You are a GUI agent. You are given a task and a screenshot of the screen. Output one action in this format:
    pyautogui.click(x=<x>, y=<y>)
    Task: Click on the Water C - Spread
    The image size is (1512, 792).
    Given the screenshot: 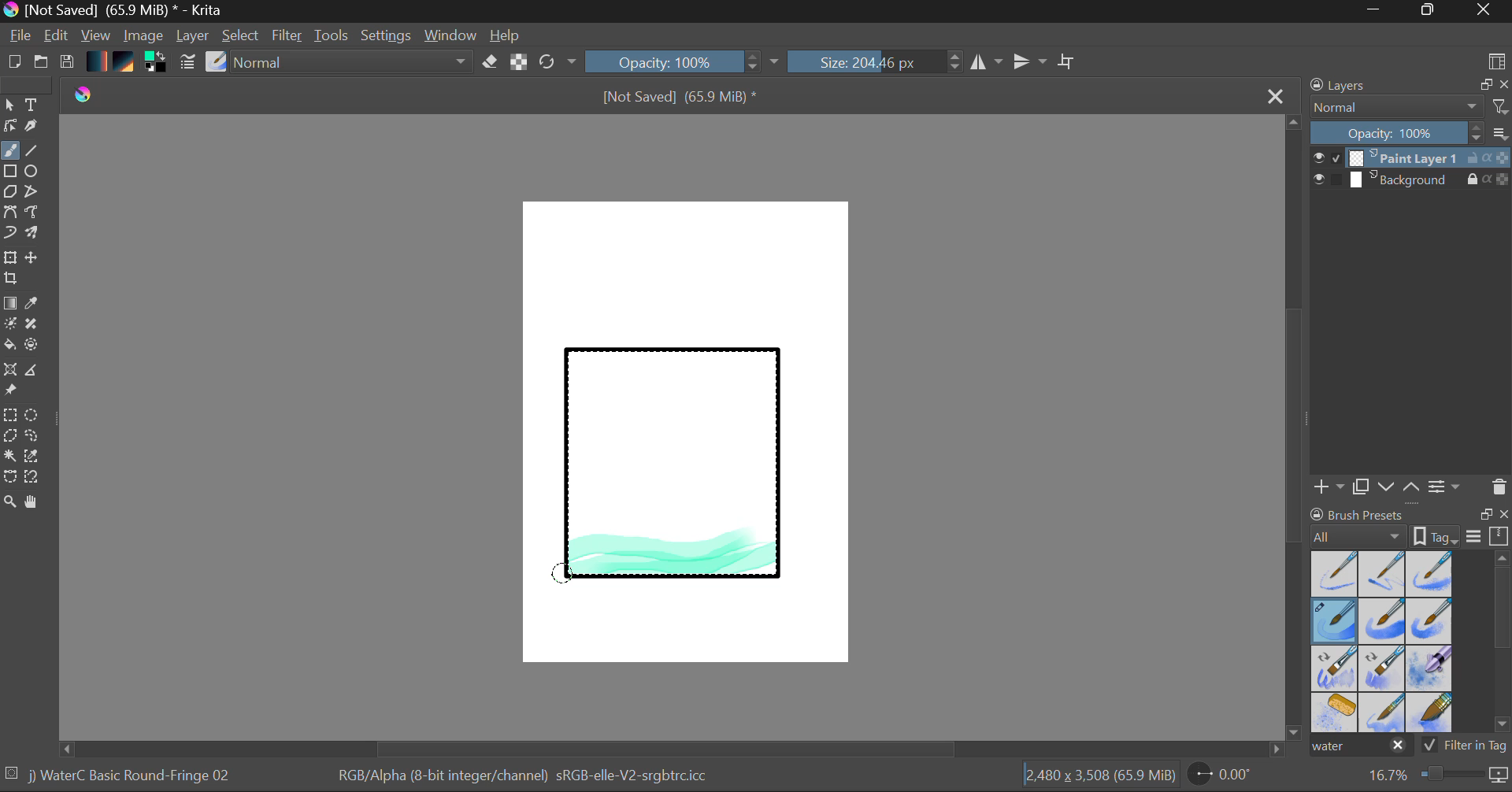 What is the action you would take?
    pyautogui.click(x=1384, y=712)
    